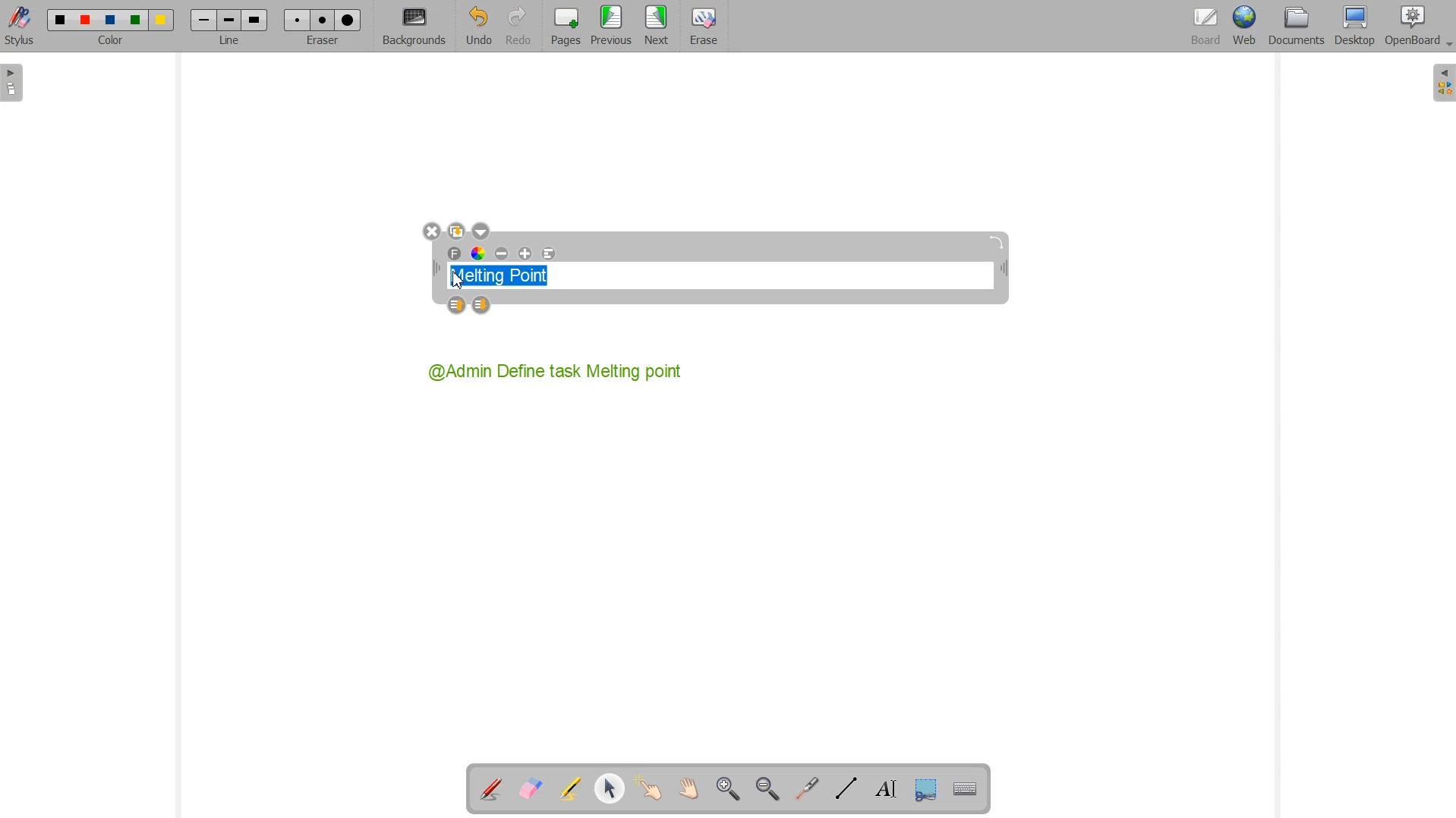  Describe the element at coordinates (686, 789) in the screenshot. I see `Scroll page` at that location.